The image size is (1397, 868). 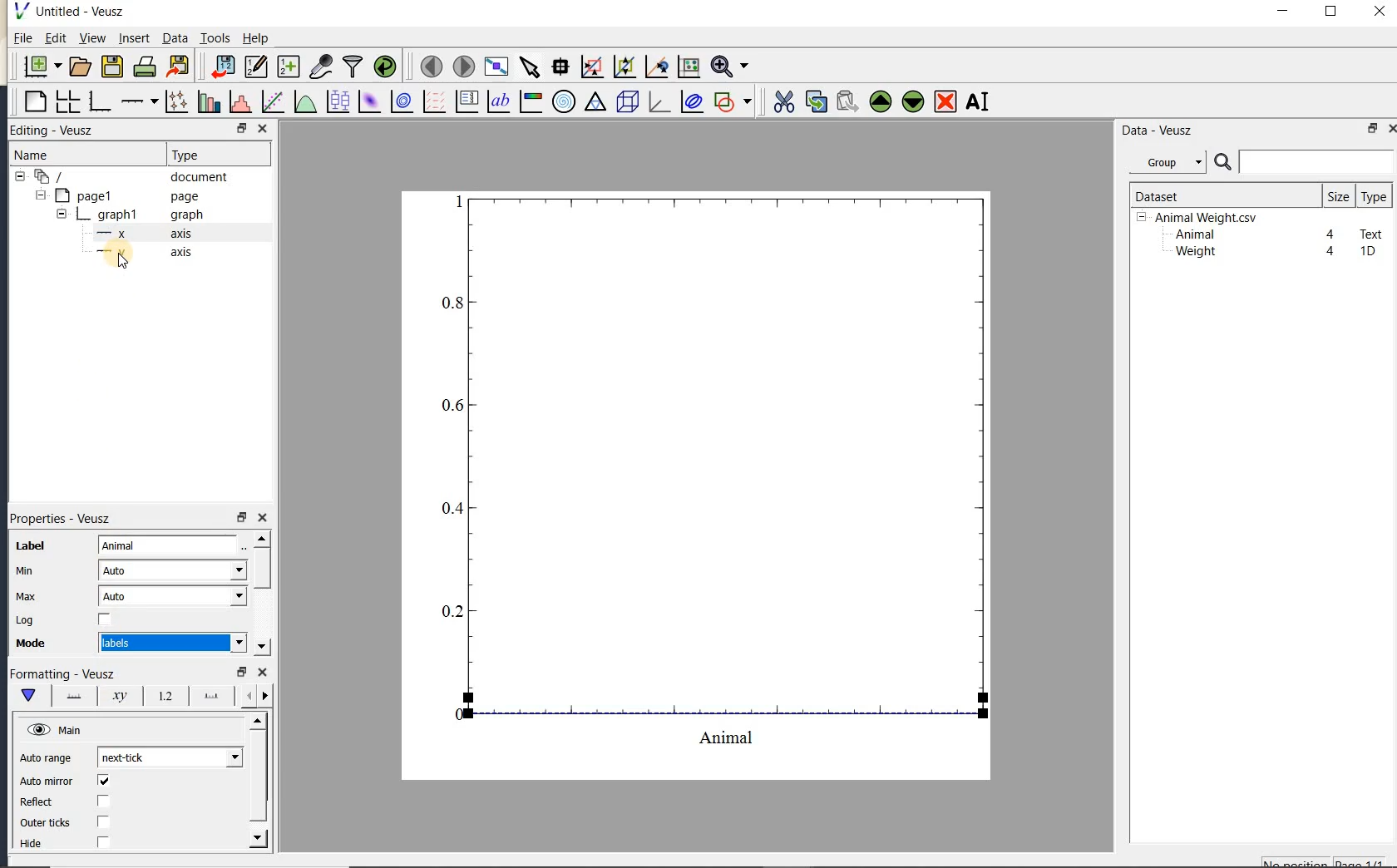 What do you see at coordinates (1391, 129) in the screenshot?
I see `close` at bounding box center [1391, 129].